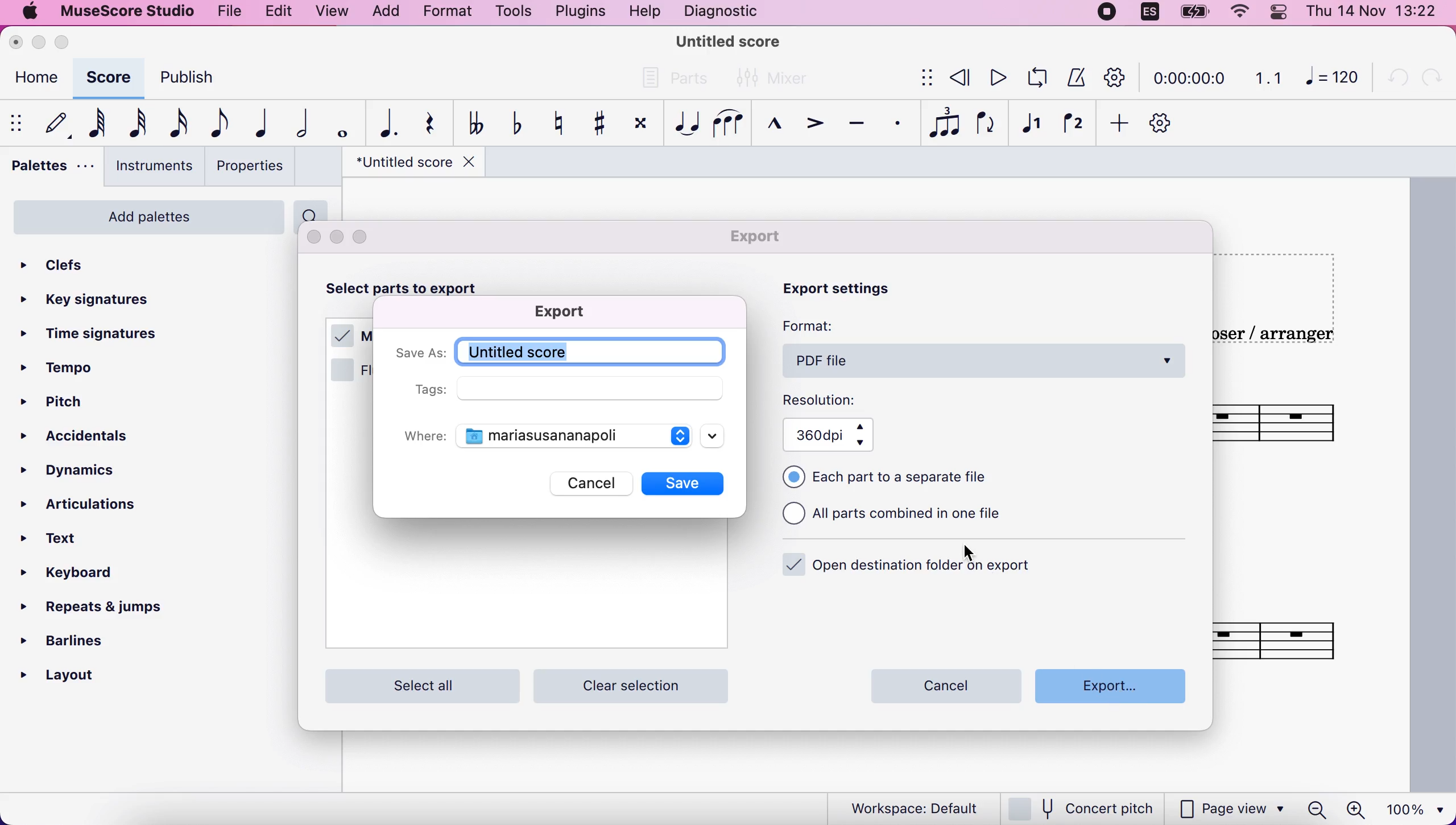  Describe the element at coordinates (729, 40) in the screenshot. I see `title` at that location.